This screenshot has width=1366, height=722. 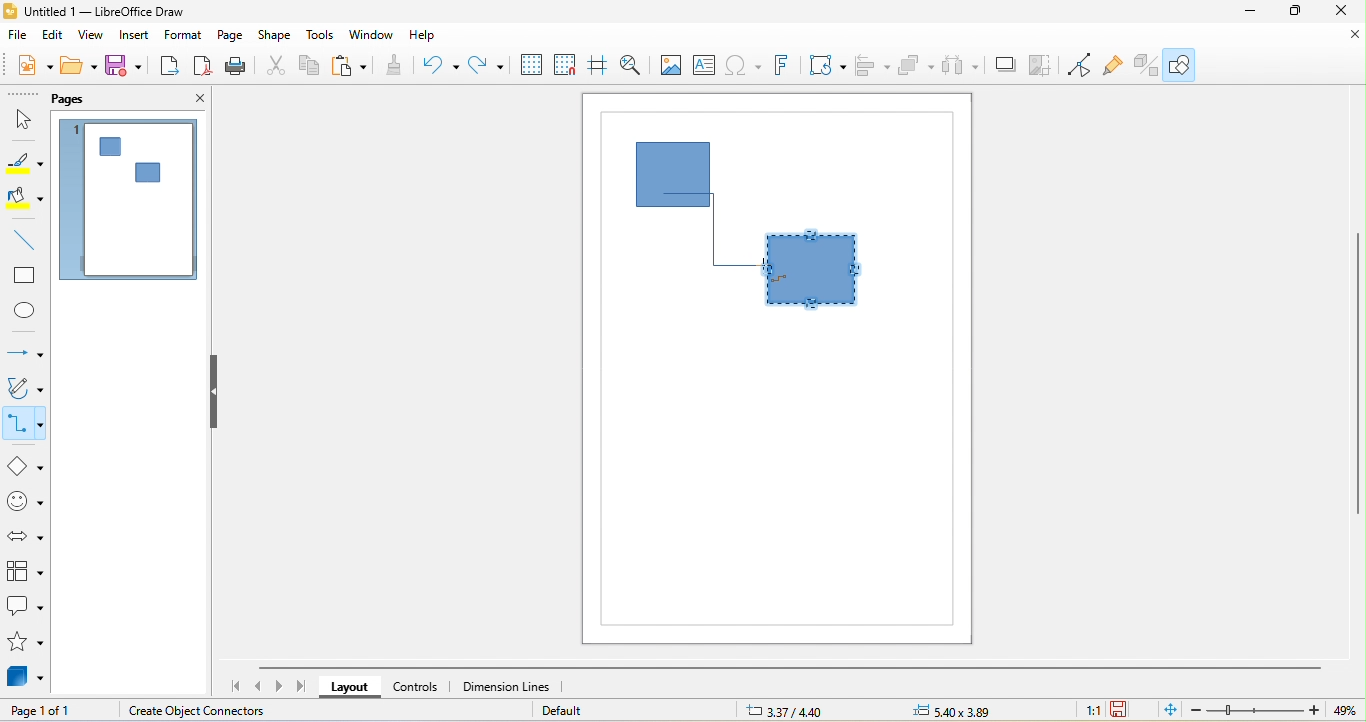 I want to click on image, so click(x=671, y=65).